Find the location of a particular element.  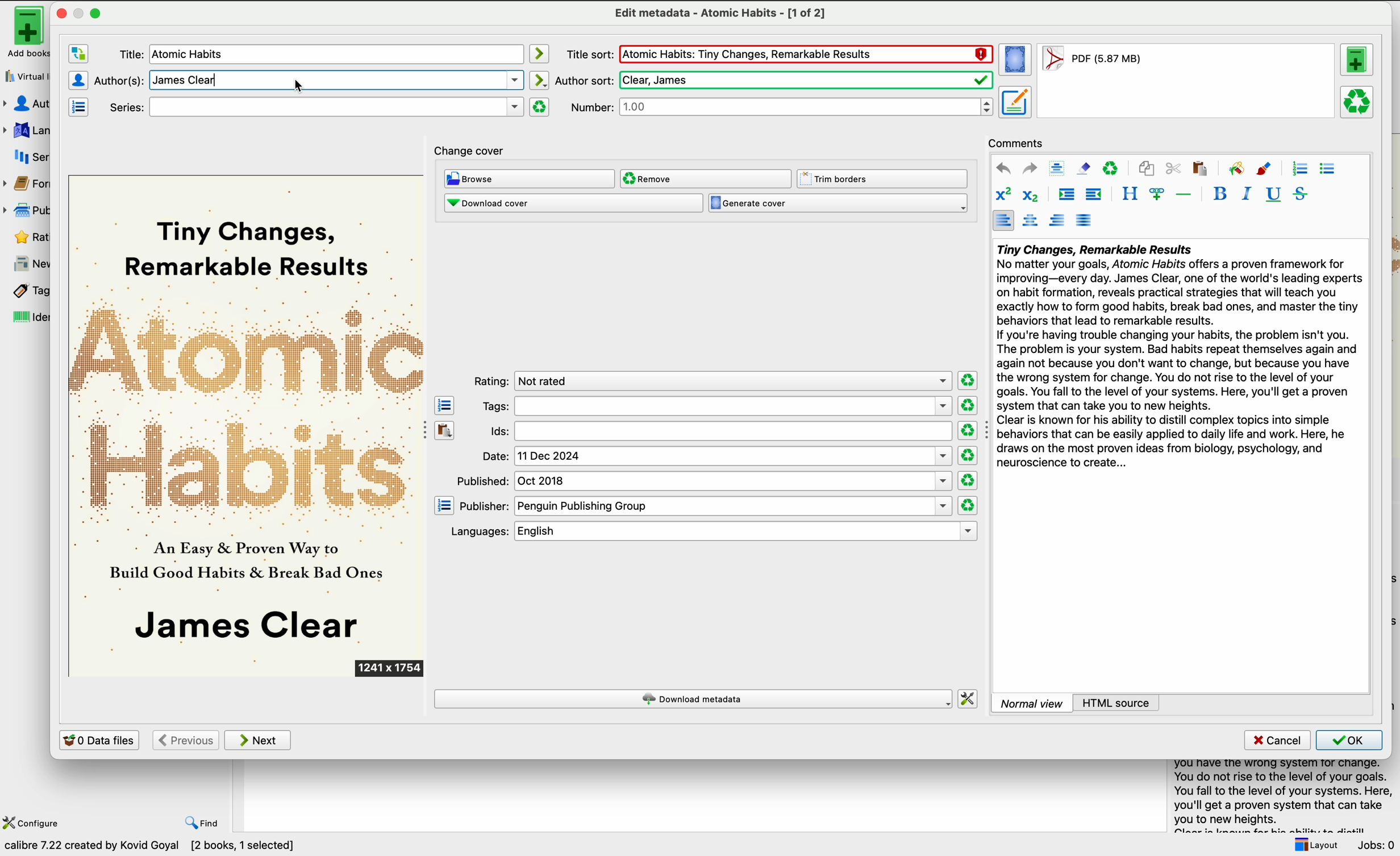

author sort: is located at coordinates (773, 79).